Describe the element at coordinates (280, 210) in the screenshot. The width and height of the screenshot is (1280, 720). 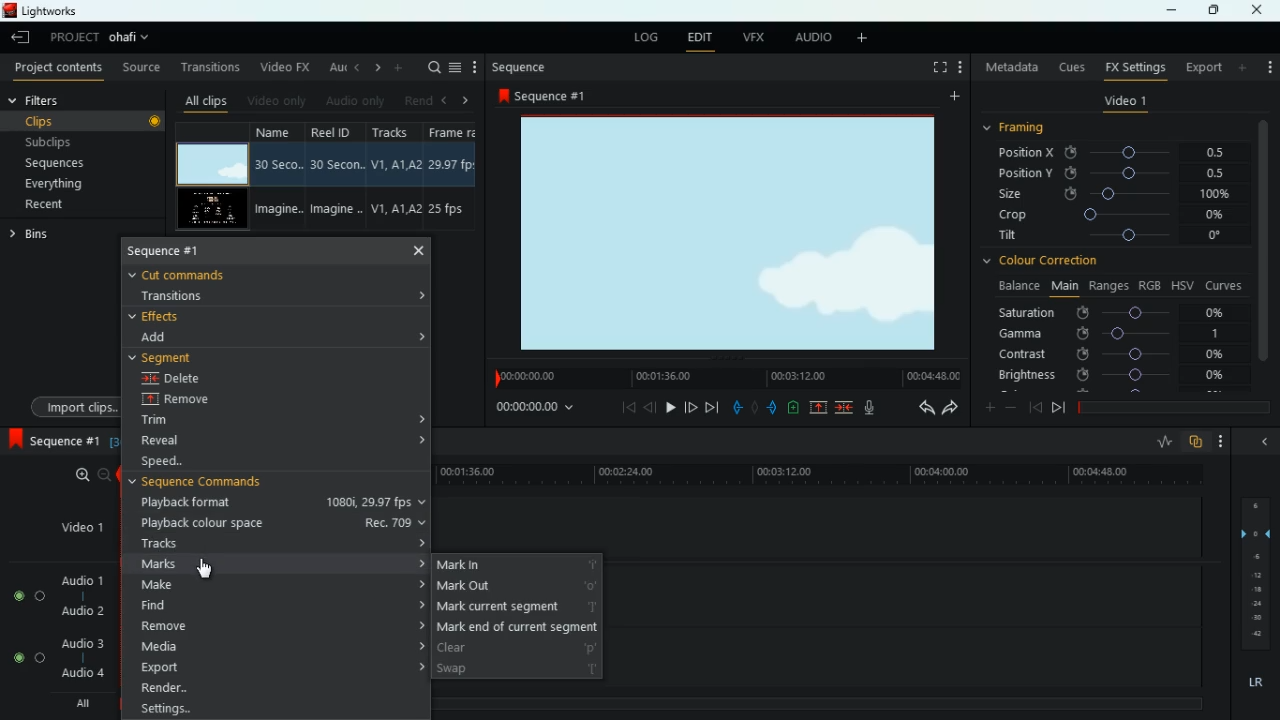
I see `Imagine..` at that location.